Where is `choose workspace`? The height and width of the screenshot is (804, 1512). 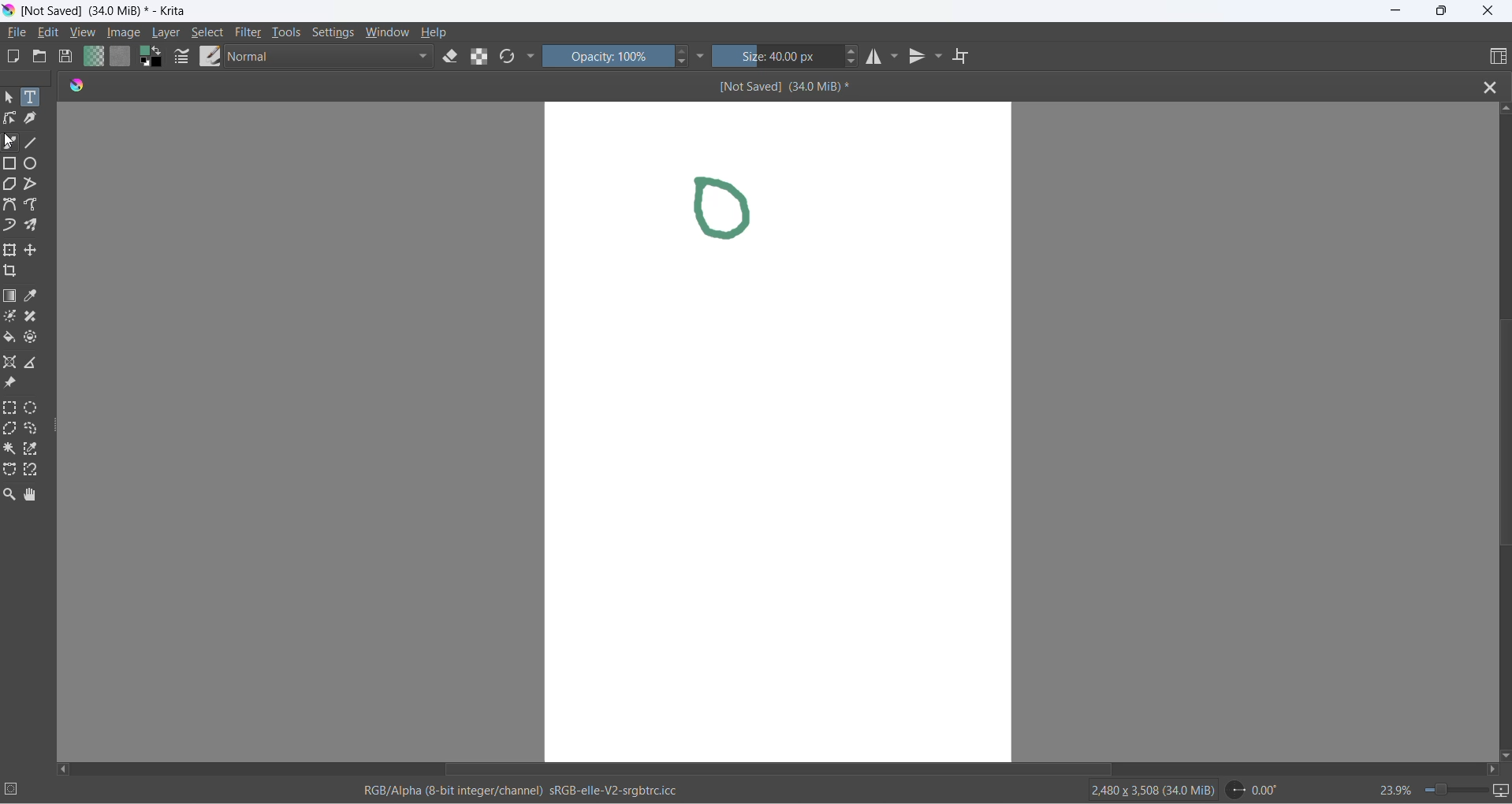 choose workspace is located at coordinates (1490, 56).